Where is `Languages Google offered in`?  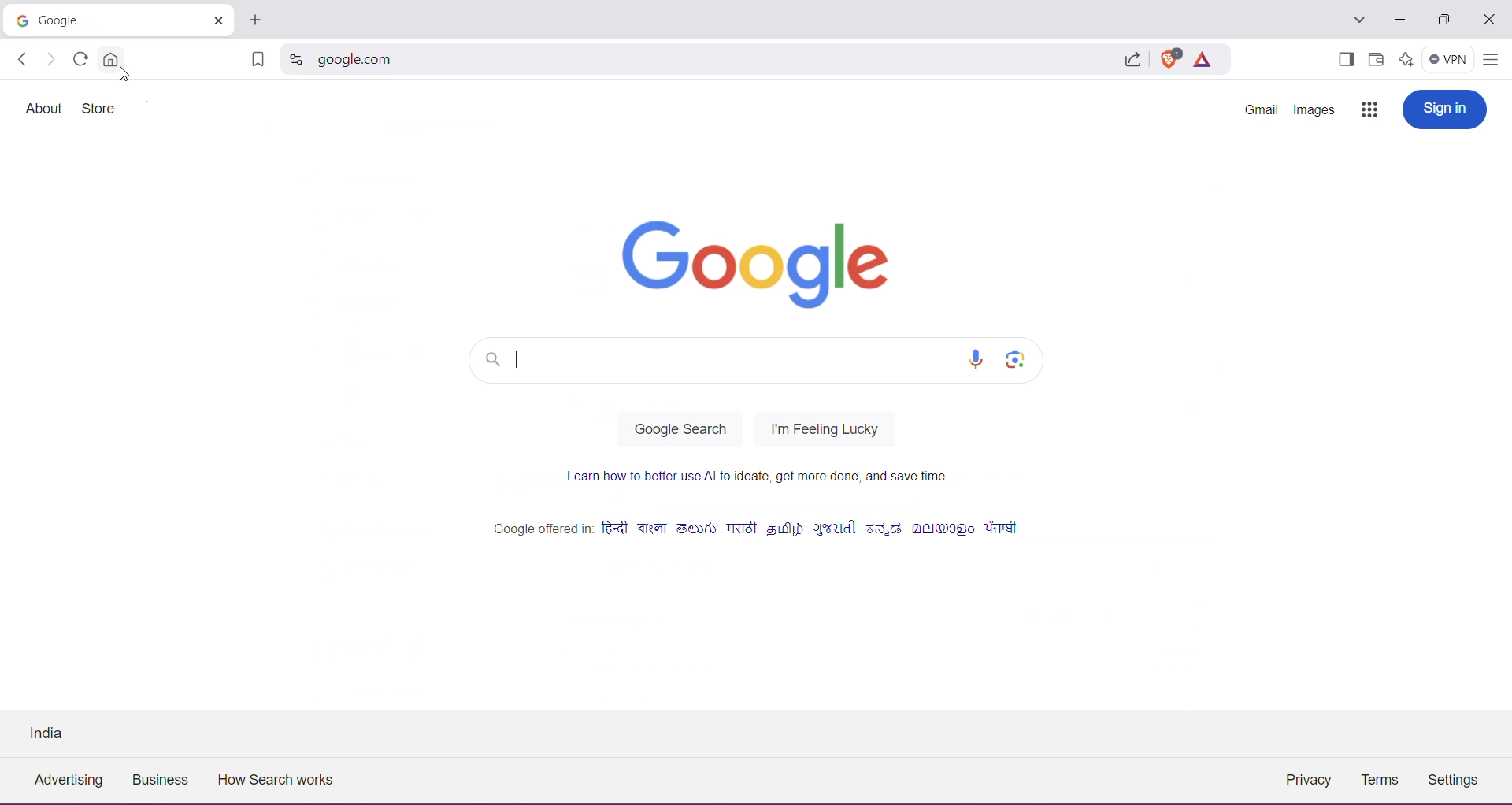 Languages Google offered in is located at coordinates (755, 532).